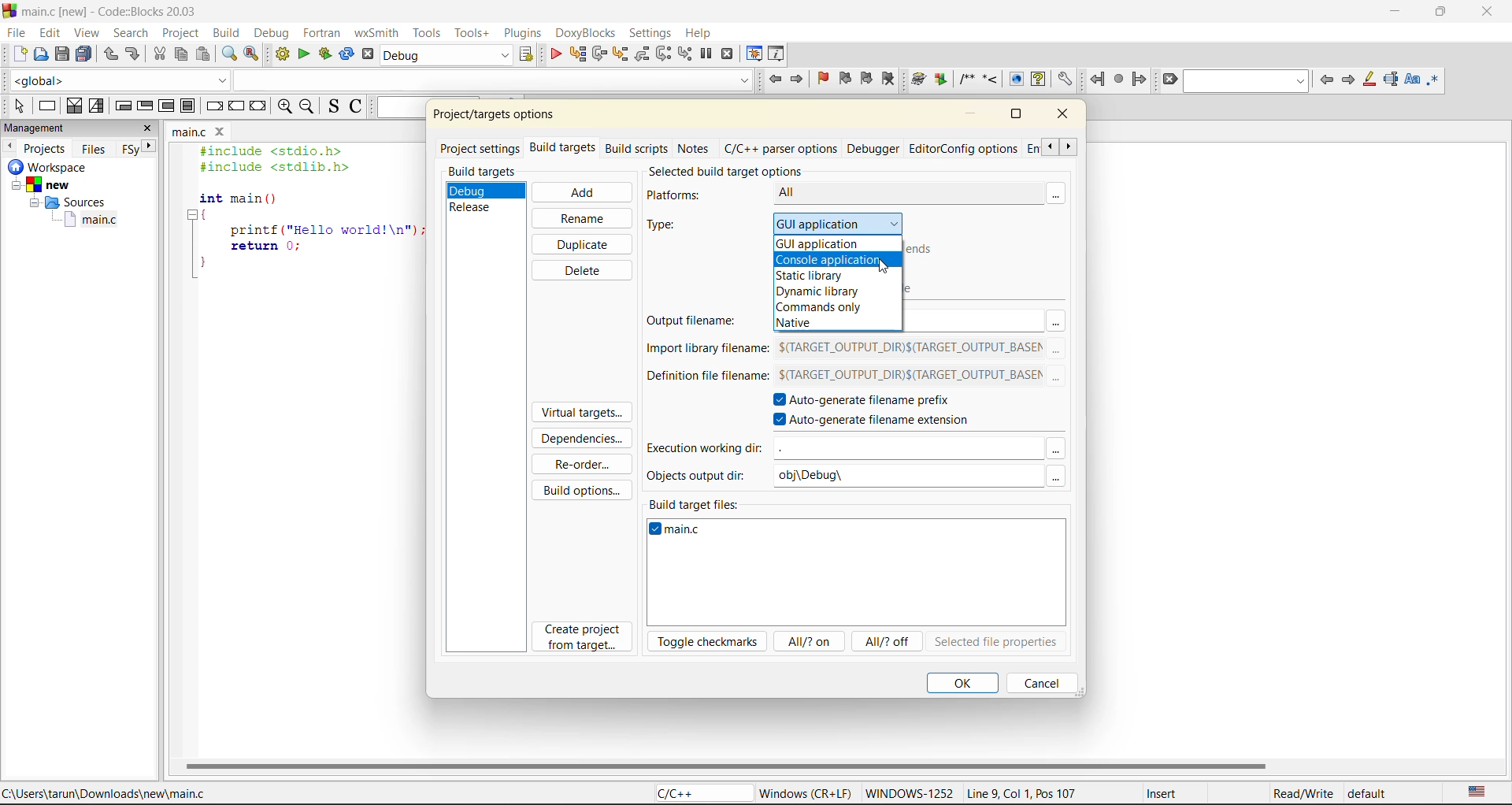 The image size is (1512, 805). What do you see at coordinates (1370, 80) in the screenshot?
I see `higlight` at bounding box center [1370, 80].